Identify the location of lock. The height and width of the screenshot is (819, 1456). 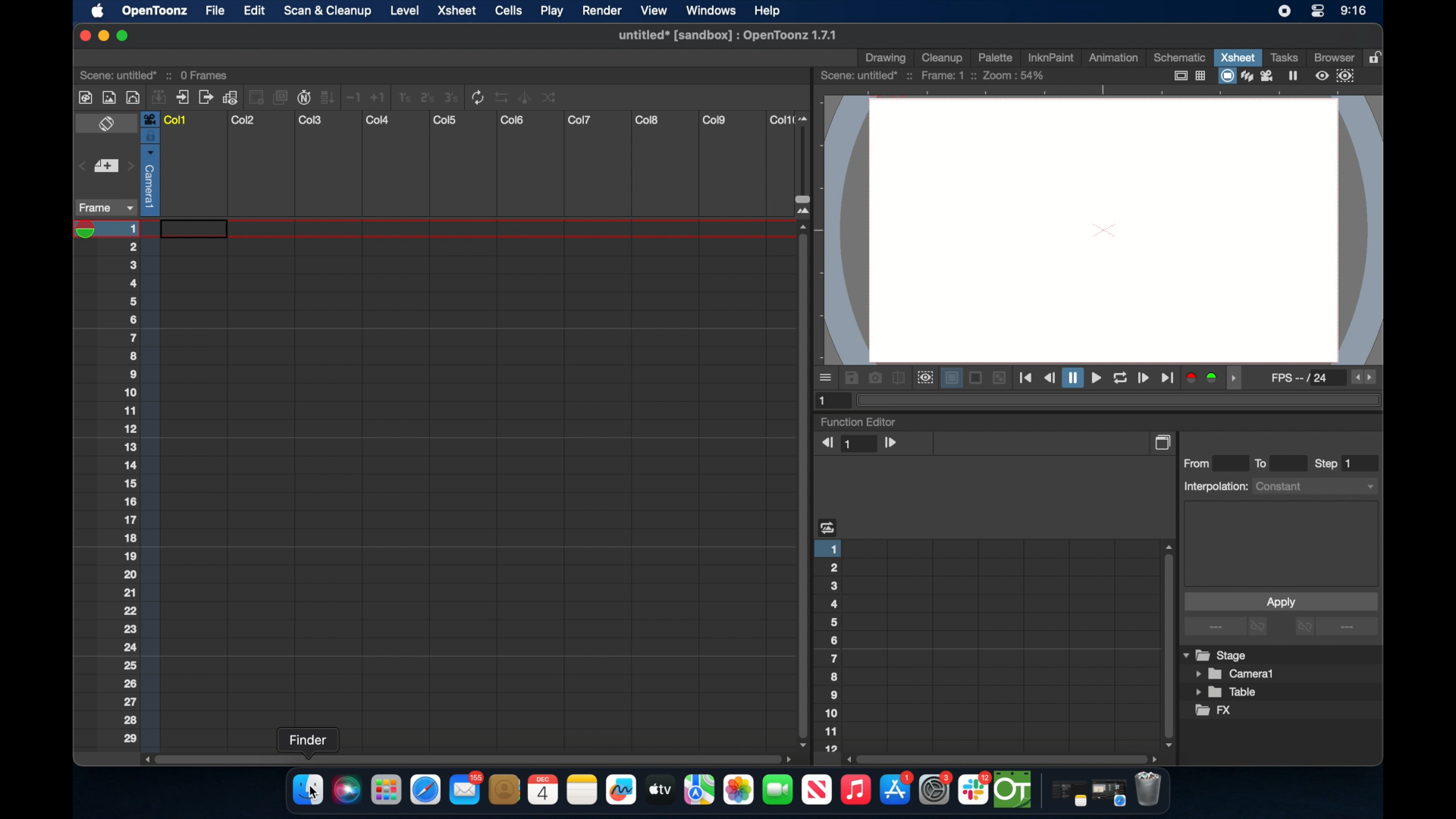
(1377, 56).